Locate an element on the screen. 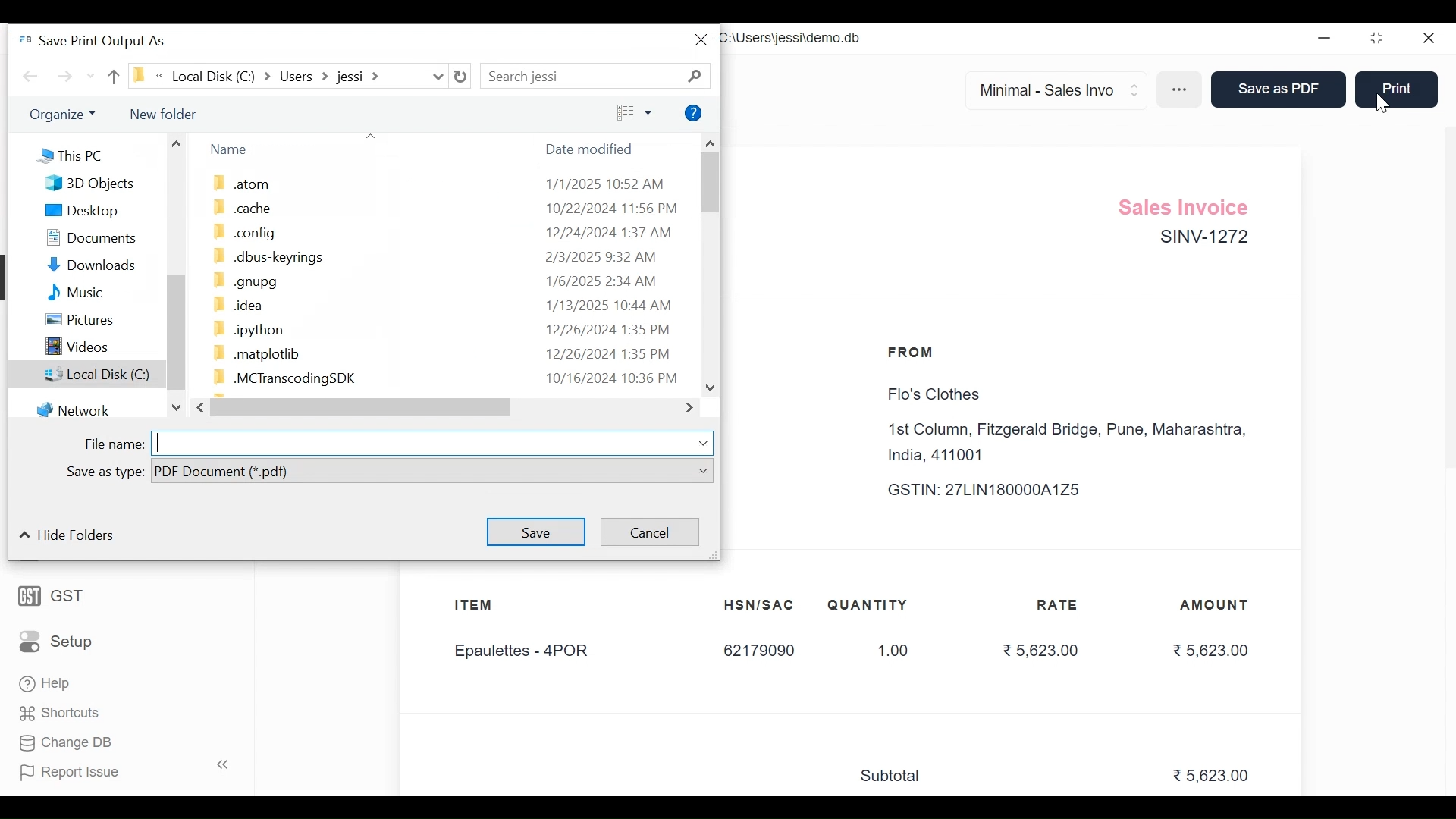 The width and height of the screenshot is (1456, 819). atom is located at coordinates (241, 185).